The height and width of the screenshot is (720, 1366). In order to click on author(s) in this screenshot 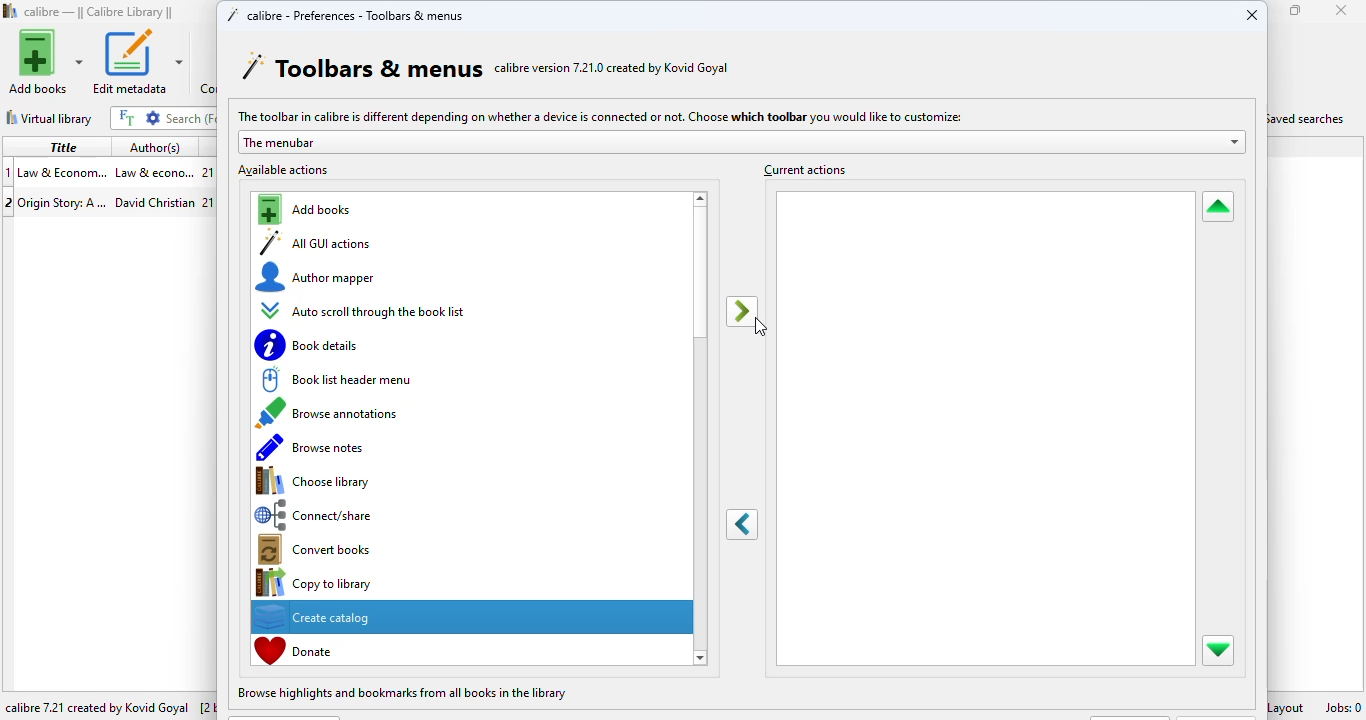, I will do `click(155, 148)`.